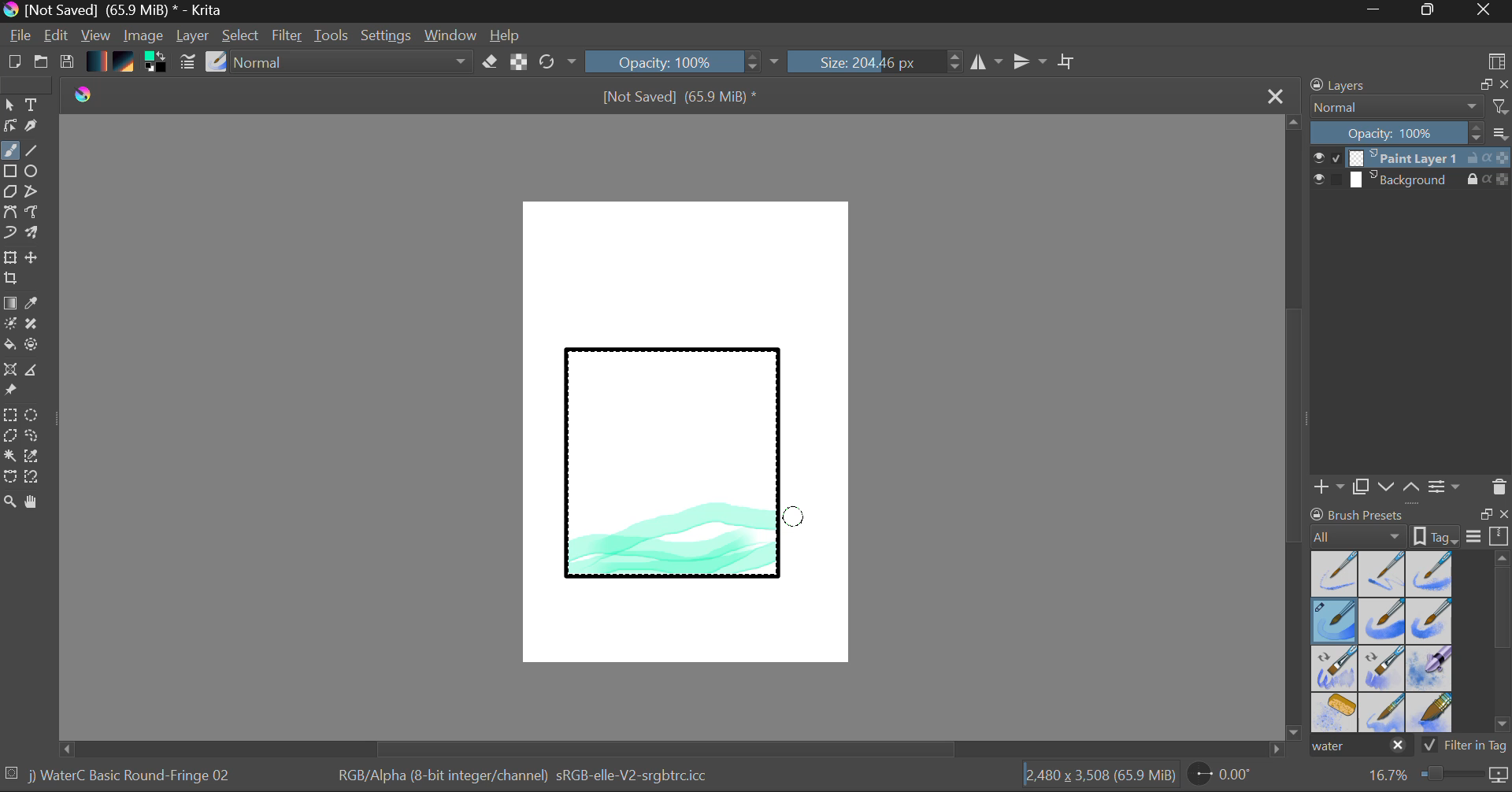  Describe the element at coordinates (332, 36) in the screenshot. I see `Tools` at that location.